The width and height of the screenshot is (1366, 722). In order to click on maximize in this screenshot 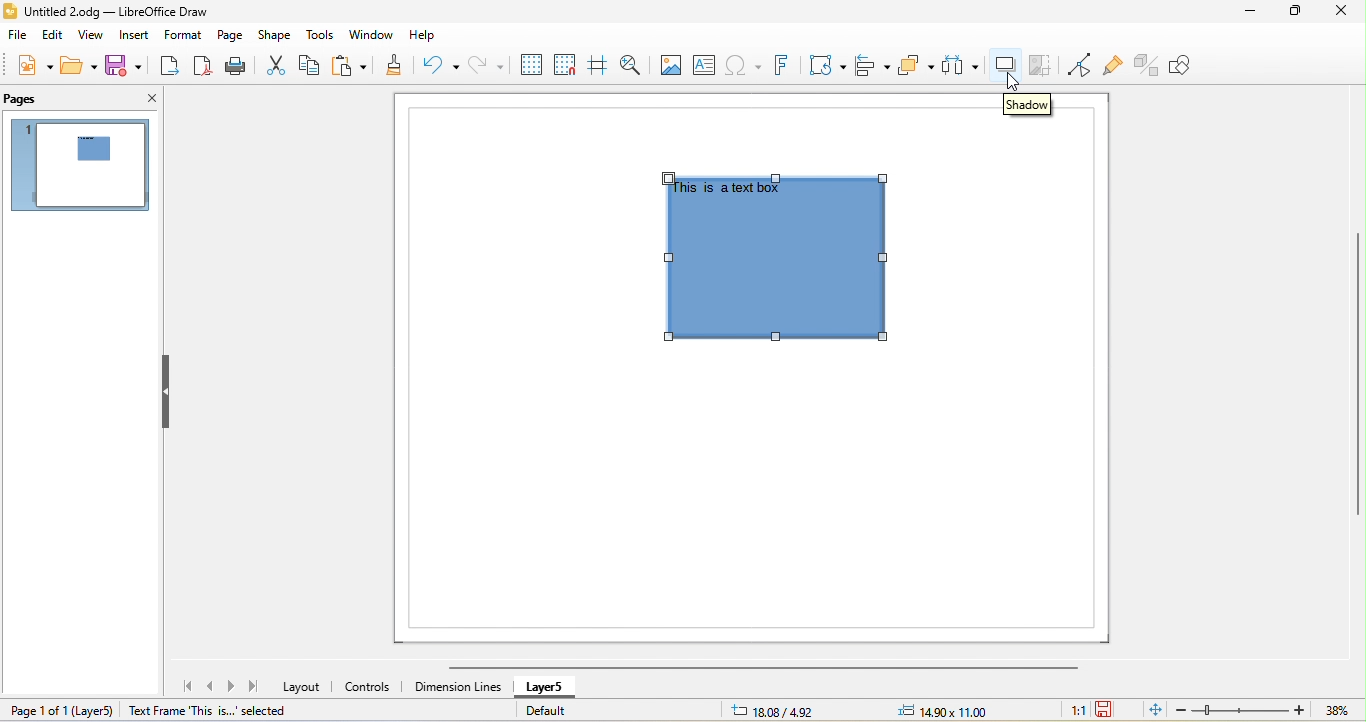, I will do `click(1296, 12)`.